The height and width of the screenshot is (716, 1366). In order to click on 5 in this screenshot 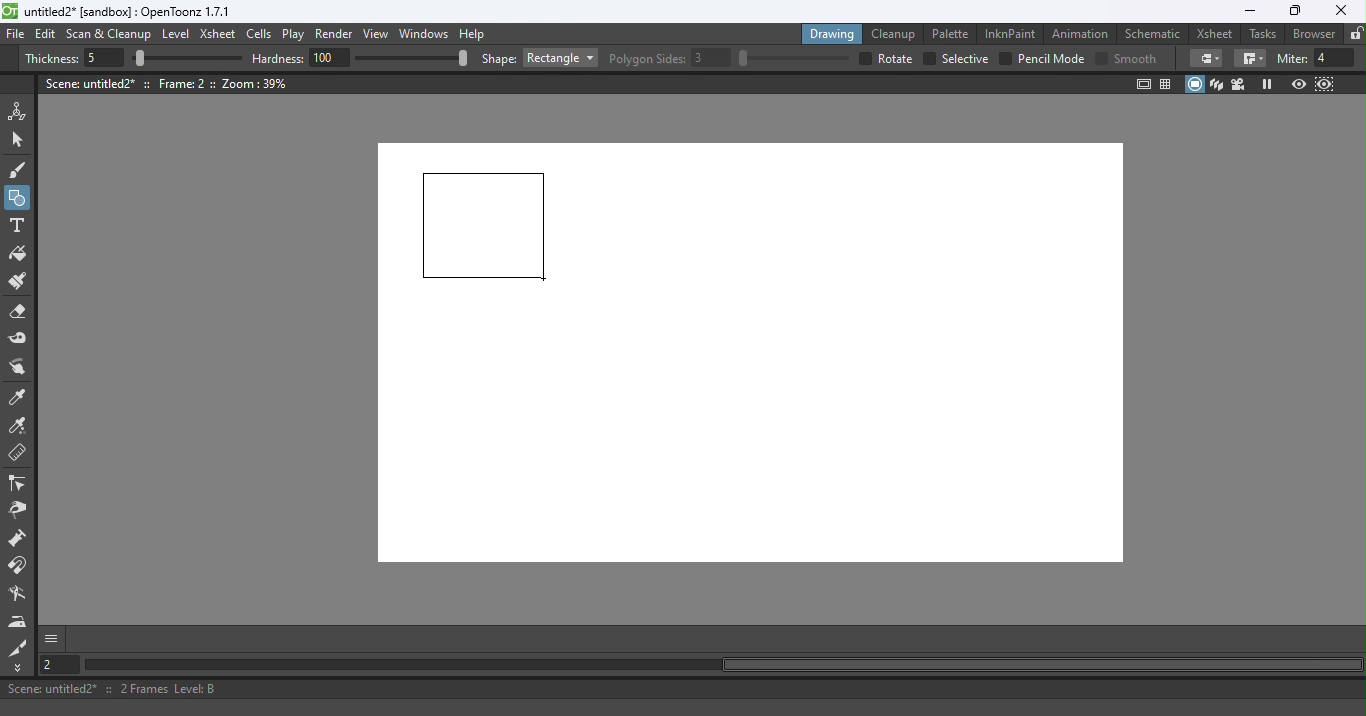, I will do `click(101, 59)`.